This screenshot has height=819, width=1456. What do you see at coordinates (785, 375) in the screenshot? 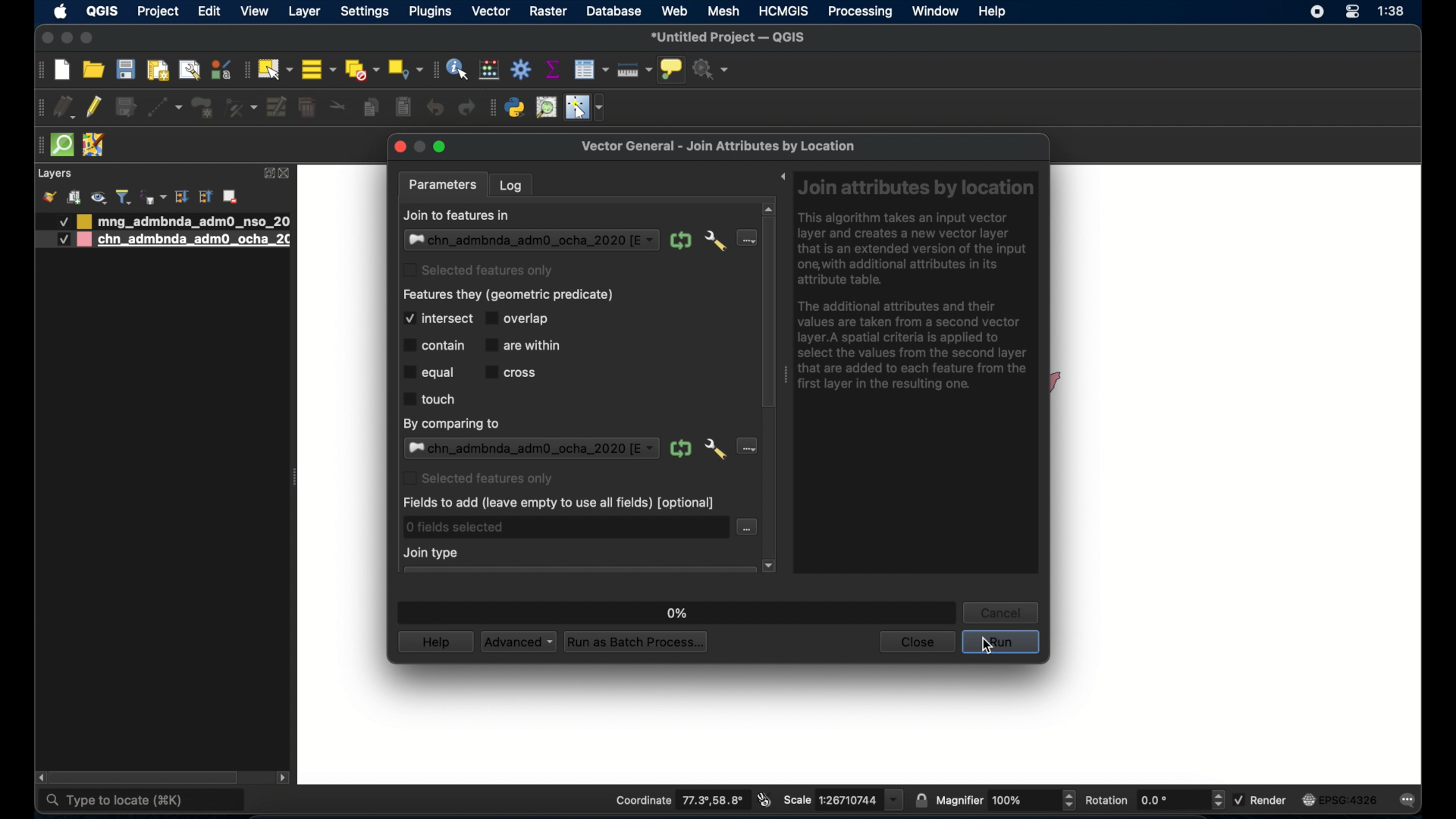
I see `drag handle` at bounding box center [785, 375].